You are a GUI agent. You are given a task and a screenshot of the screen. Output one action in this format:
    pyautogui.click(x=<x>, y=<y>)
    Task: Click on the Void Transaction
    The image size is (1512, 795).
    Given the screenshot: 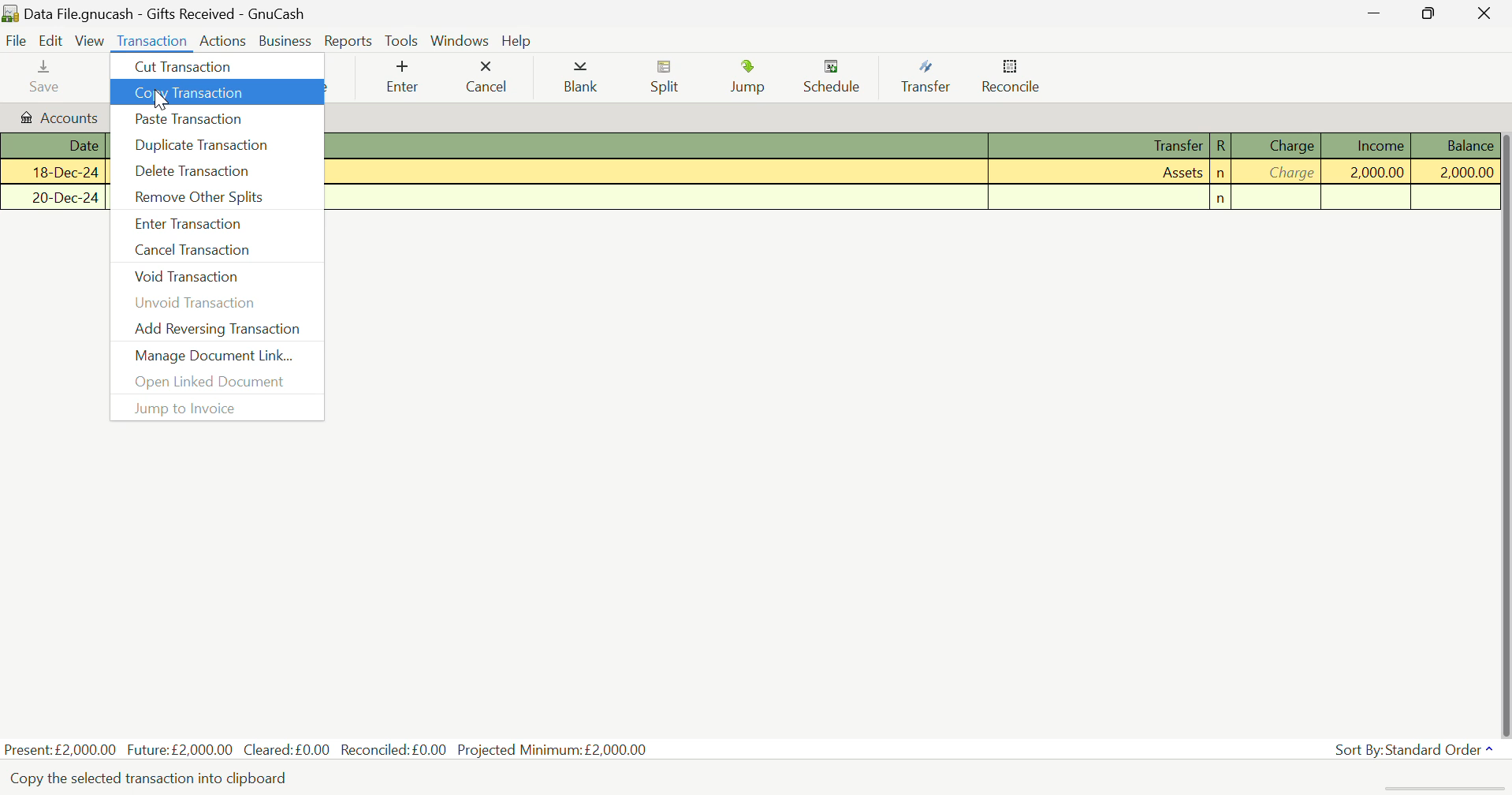 What is the action you would take?
    pyautogui.click(x=218, y=276)
    